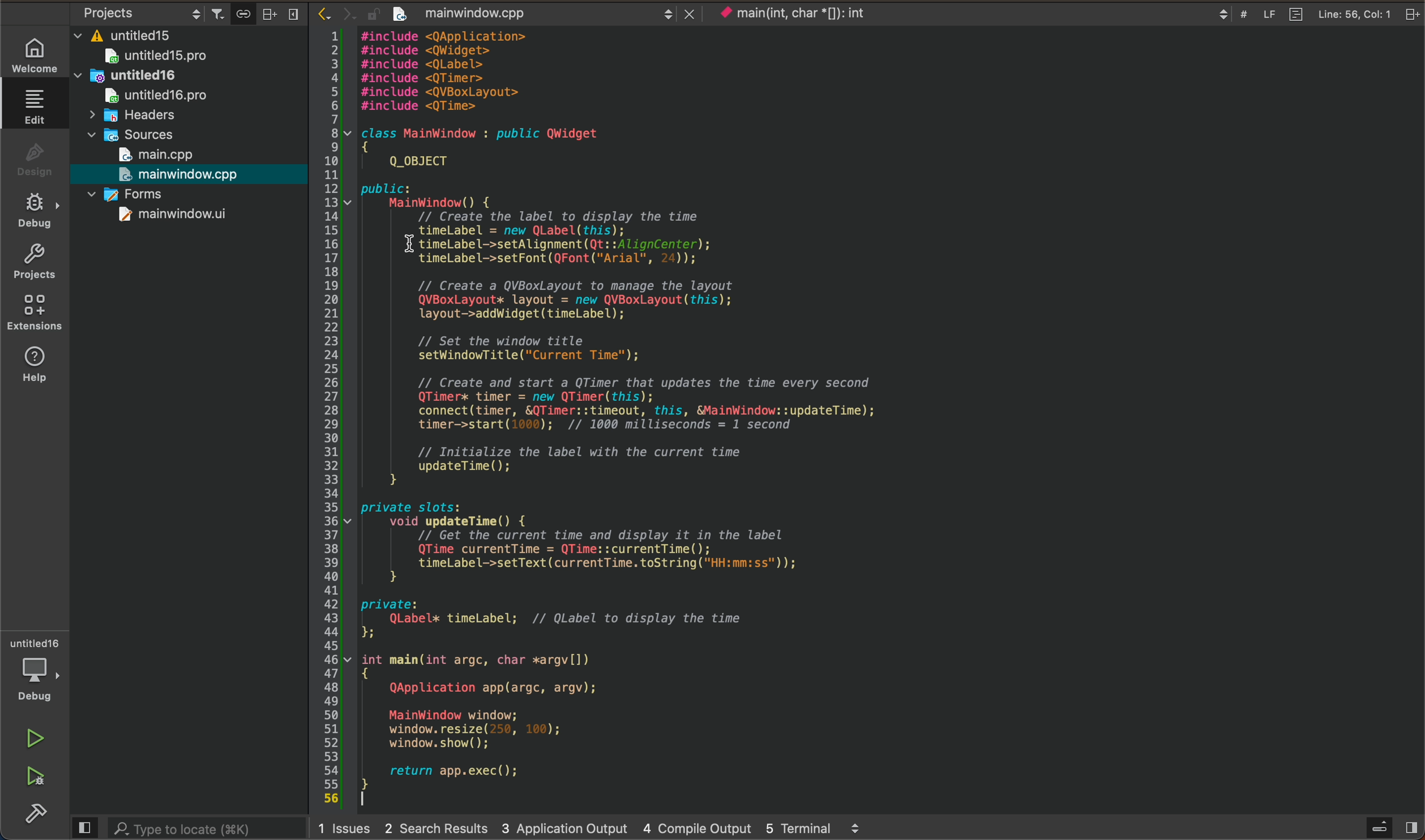 This screenshot has height=840, width=1425. I want to click on Arrange, so click(266, 13).